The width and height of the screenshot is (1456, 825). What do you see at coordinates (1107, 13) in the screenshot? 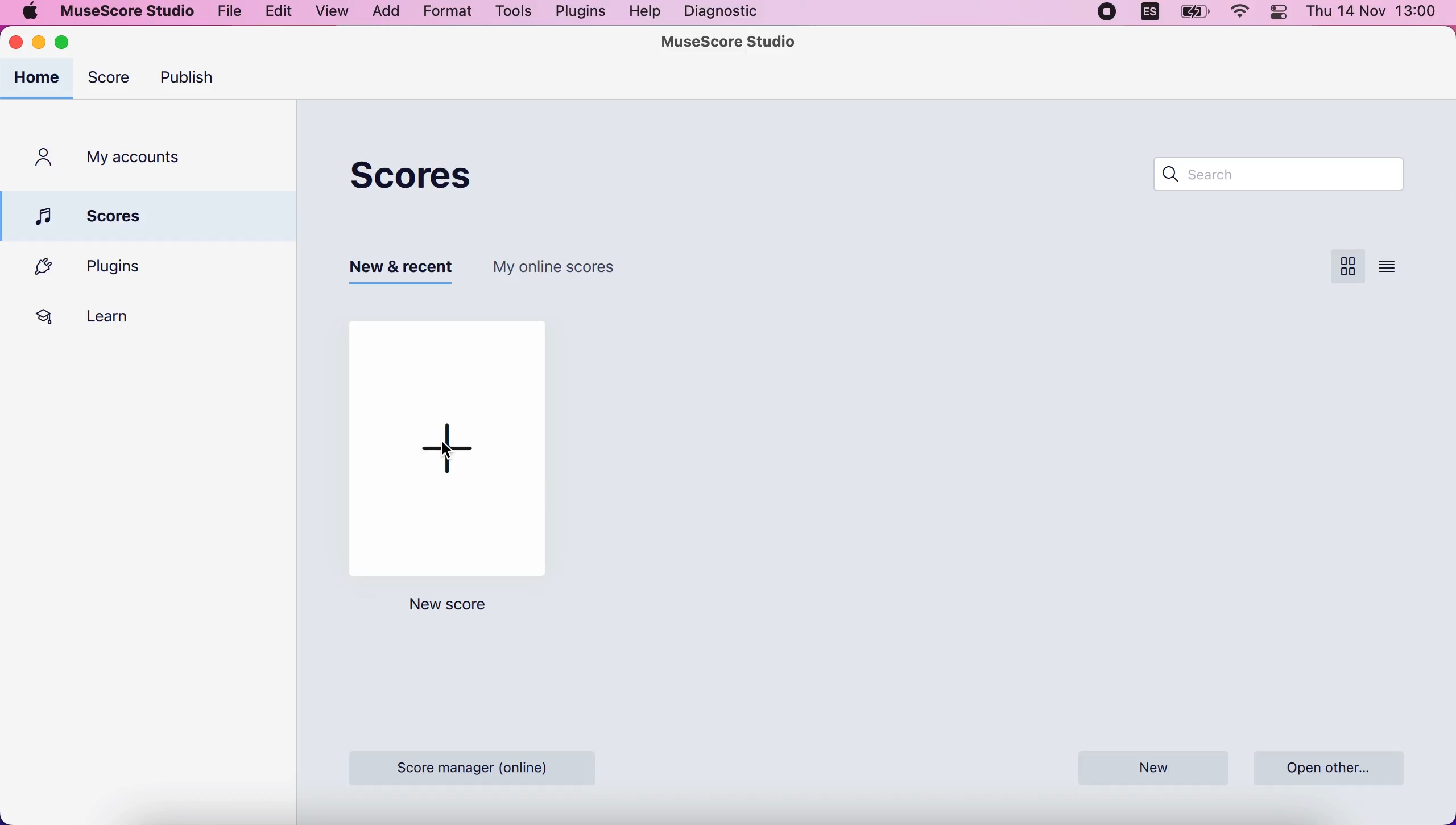
I see `recording stopped` at bounding box center [1107, 13].